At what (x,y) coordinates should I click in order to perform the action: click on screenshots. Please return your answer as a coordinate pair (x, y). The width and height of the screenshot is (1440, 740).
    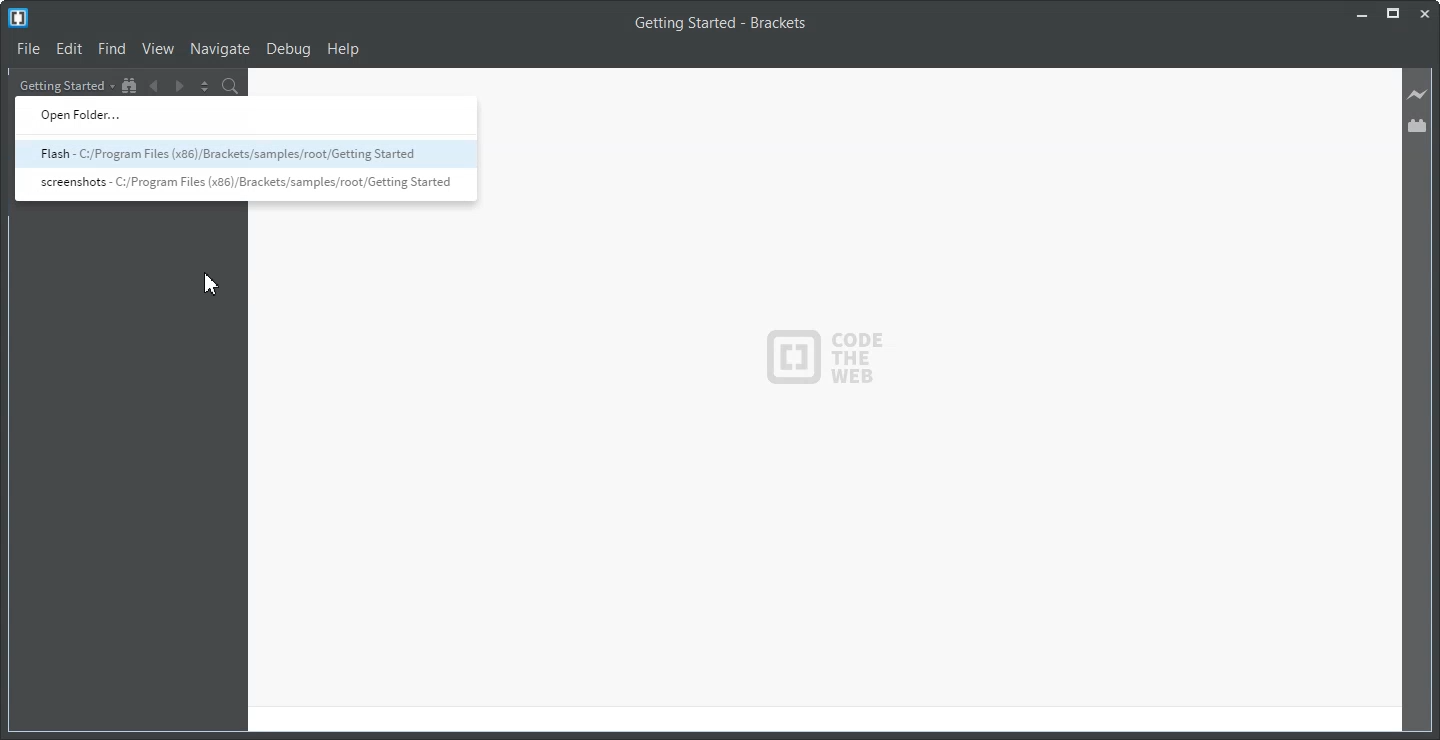
    Looking at the image, I should click on (244, 185).